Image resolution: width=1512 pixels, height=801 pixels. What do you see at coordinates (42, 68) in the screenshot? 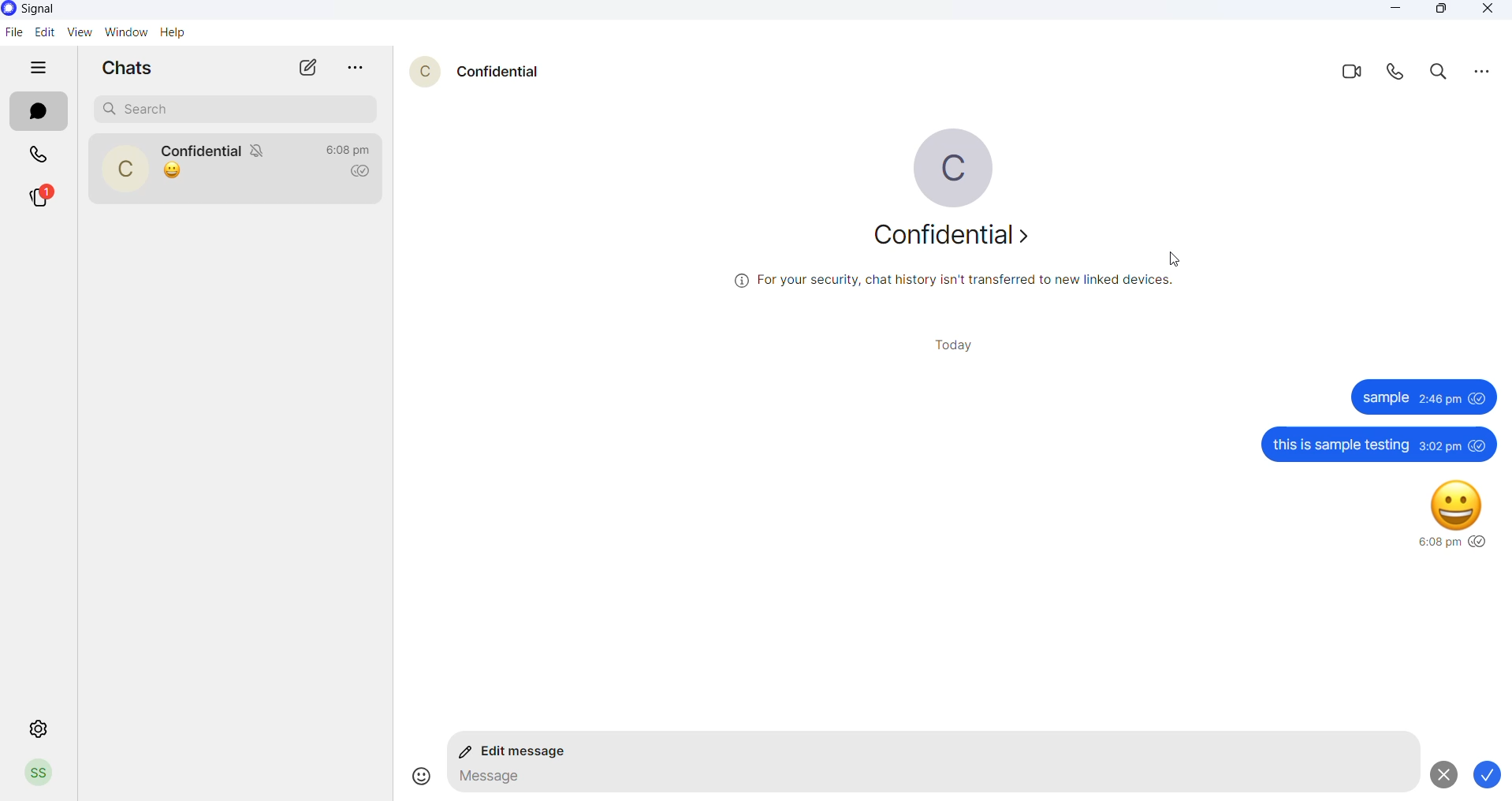
I see `hide` at bounding box center [42, 68].